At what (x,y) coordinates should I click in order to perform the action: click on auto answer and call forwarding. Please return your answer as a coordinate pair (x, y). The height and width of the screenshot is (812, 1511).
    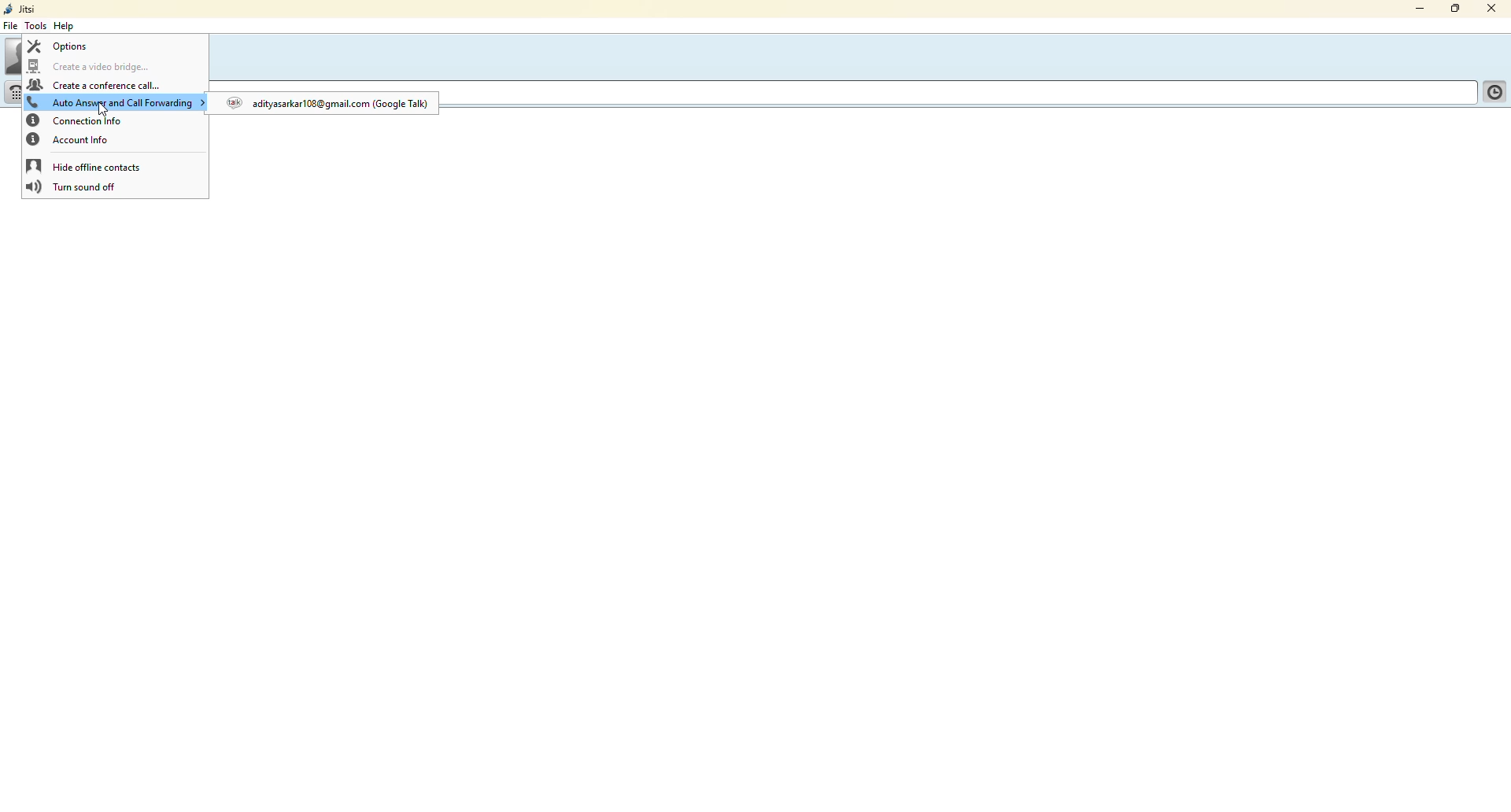
    Looking at the image, I should click on (114, 103).